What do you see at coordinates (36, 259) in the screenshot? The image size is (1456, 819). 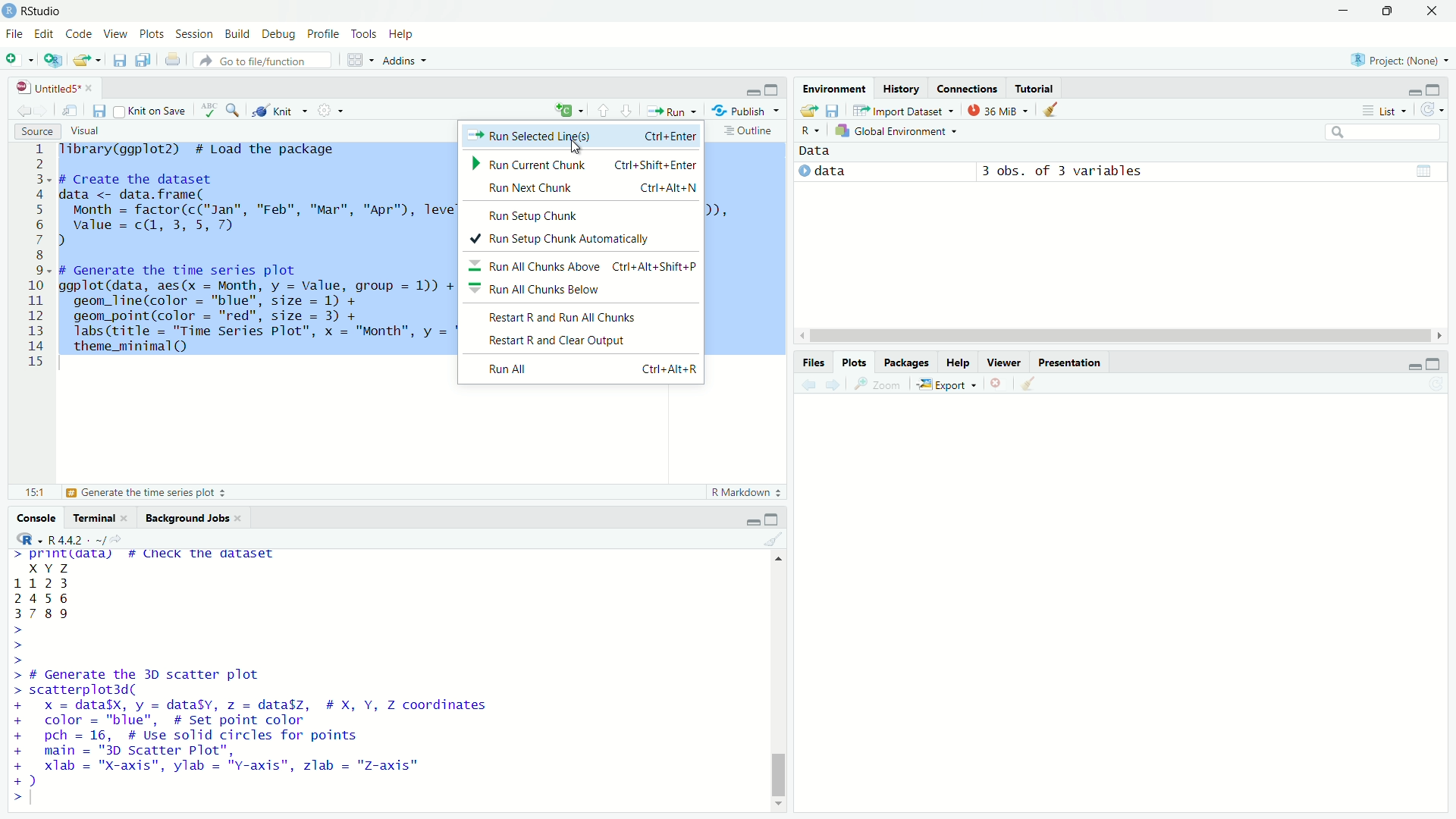 I see `serial number` at bounding box center [36, 259].